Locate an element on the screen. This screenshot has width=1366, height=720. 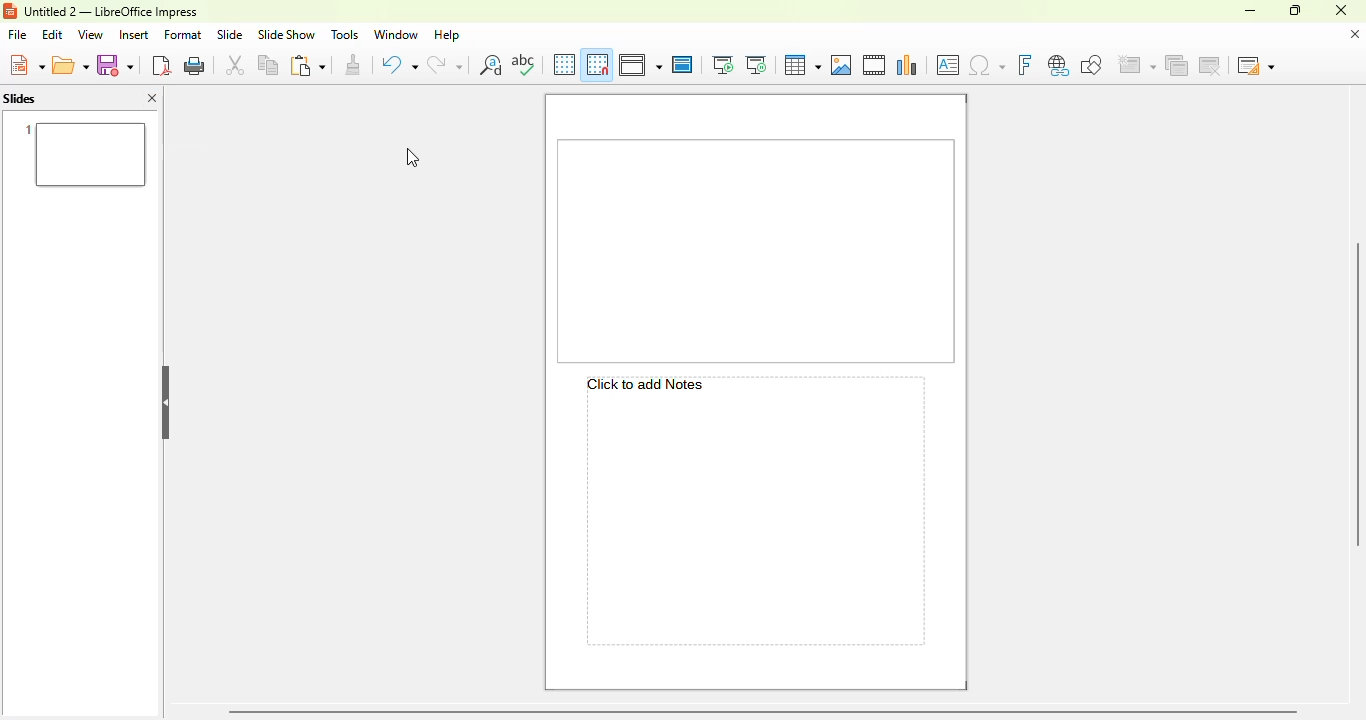
display views is located at coordinates (640, 64).